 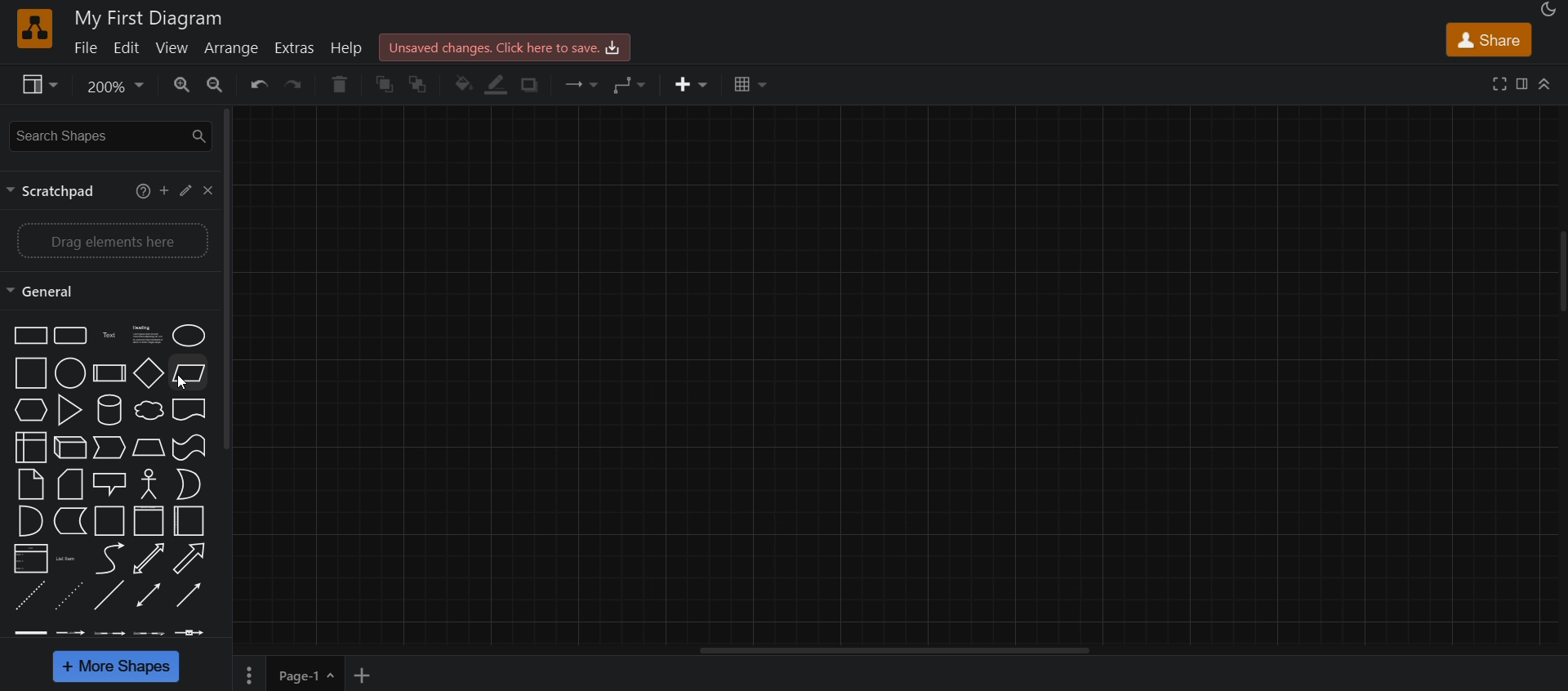 I want to click on logo, so click(x=32, y=26).